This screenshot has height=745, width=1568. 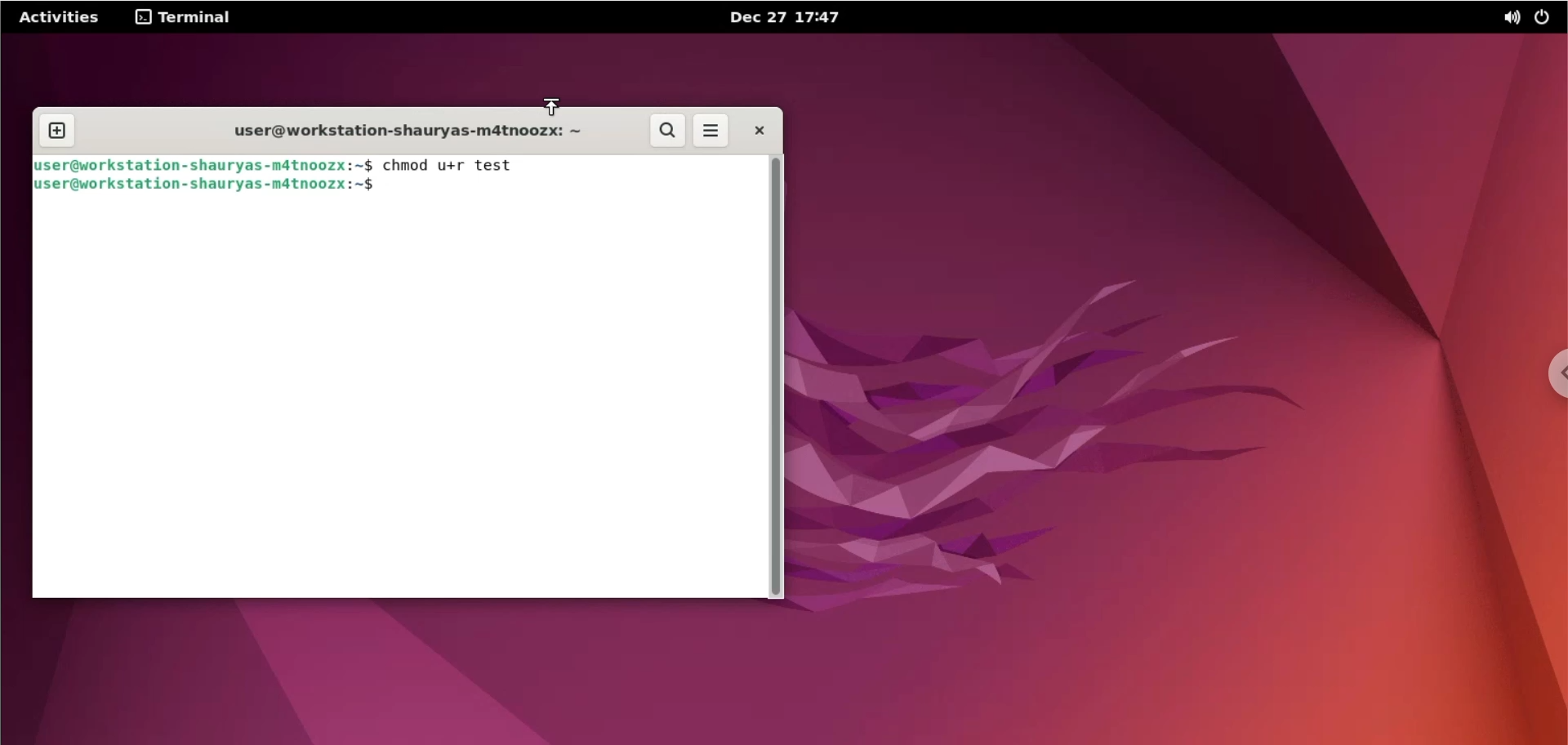 What do you see at coordinates (458, 165) in the screenshot?
I see `chmod u+r test` at bounding box center [458, 165].